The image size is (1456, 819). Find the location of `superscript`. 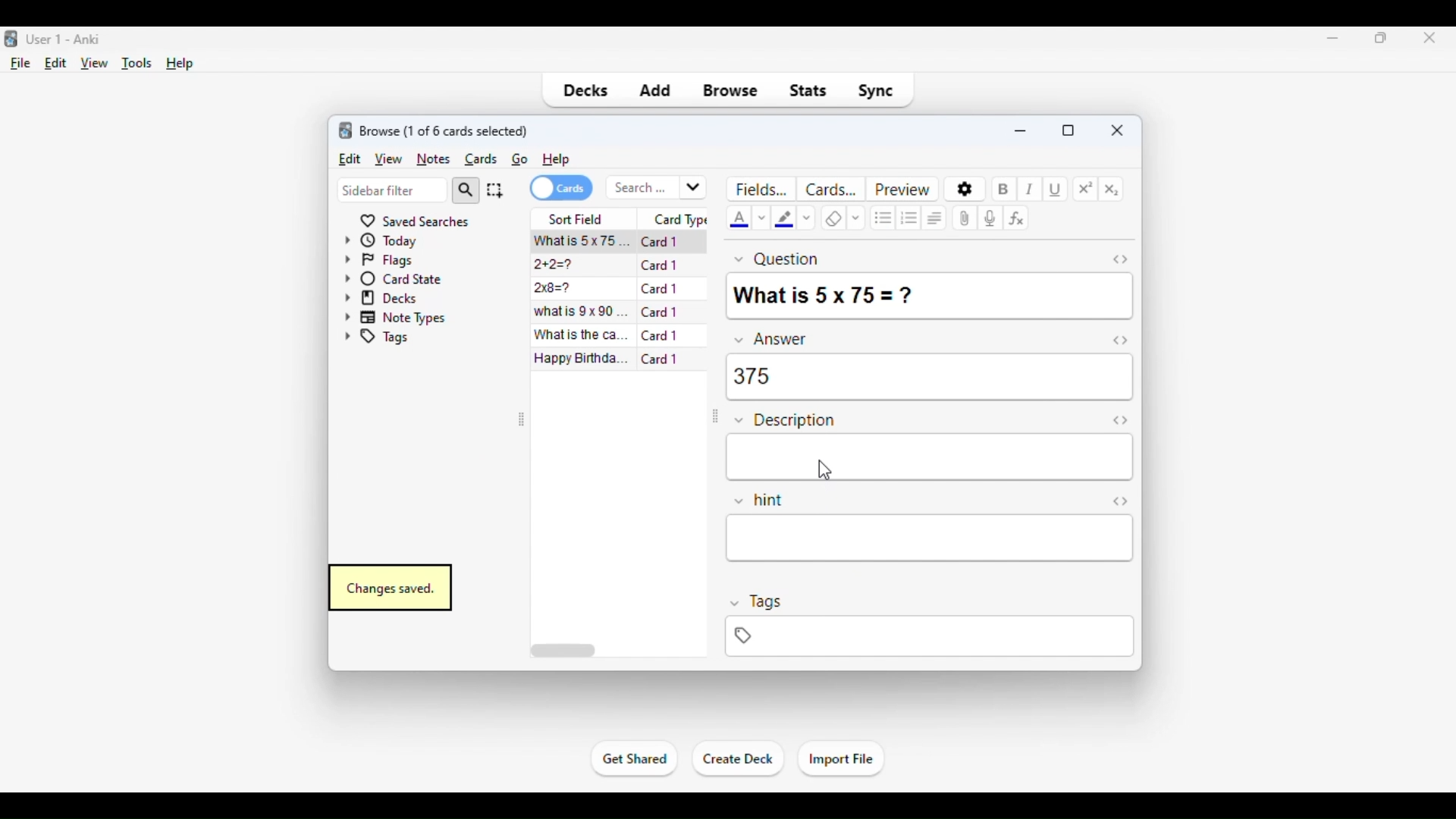

superscript is located at coordinates (1086, 189).